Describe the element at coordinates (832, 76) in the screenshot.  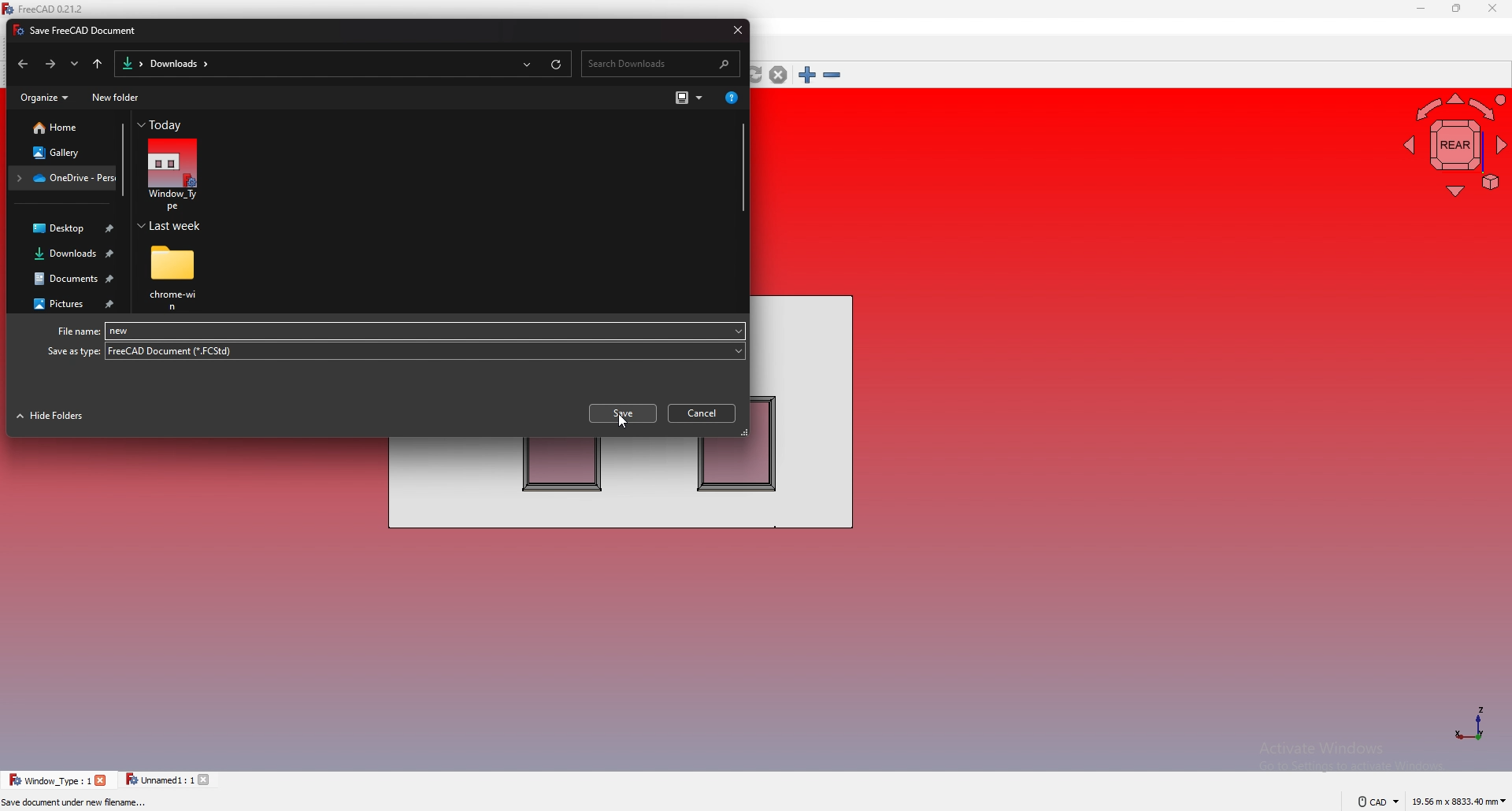
I see `zoom out` at that location.